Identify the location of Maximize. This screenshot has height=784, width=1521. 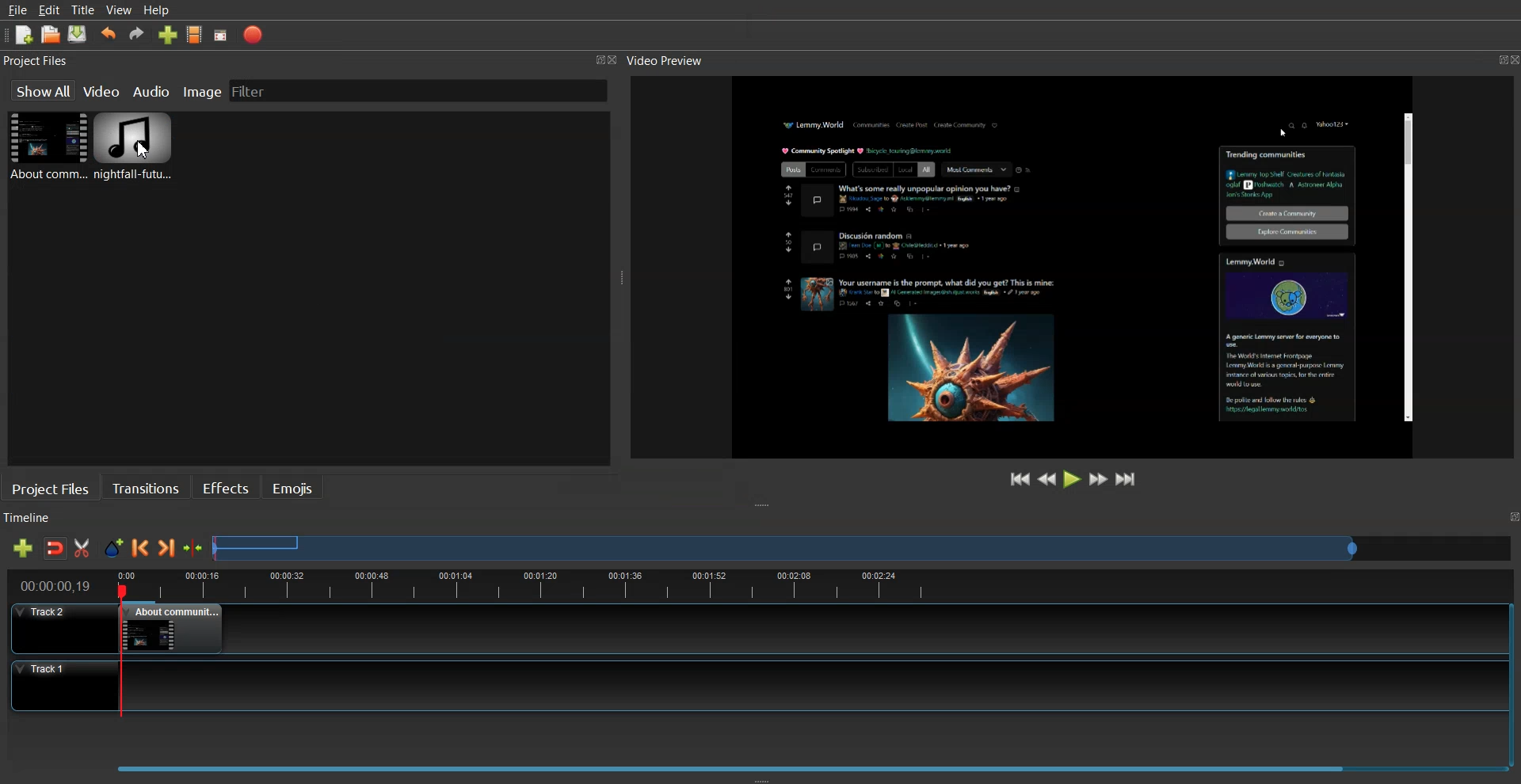
(599, 59).